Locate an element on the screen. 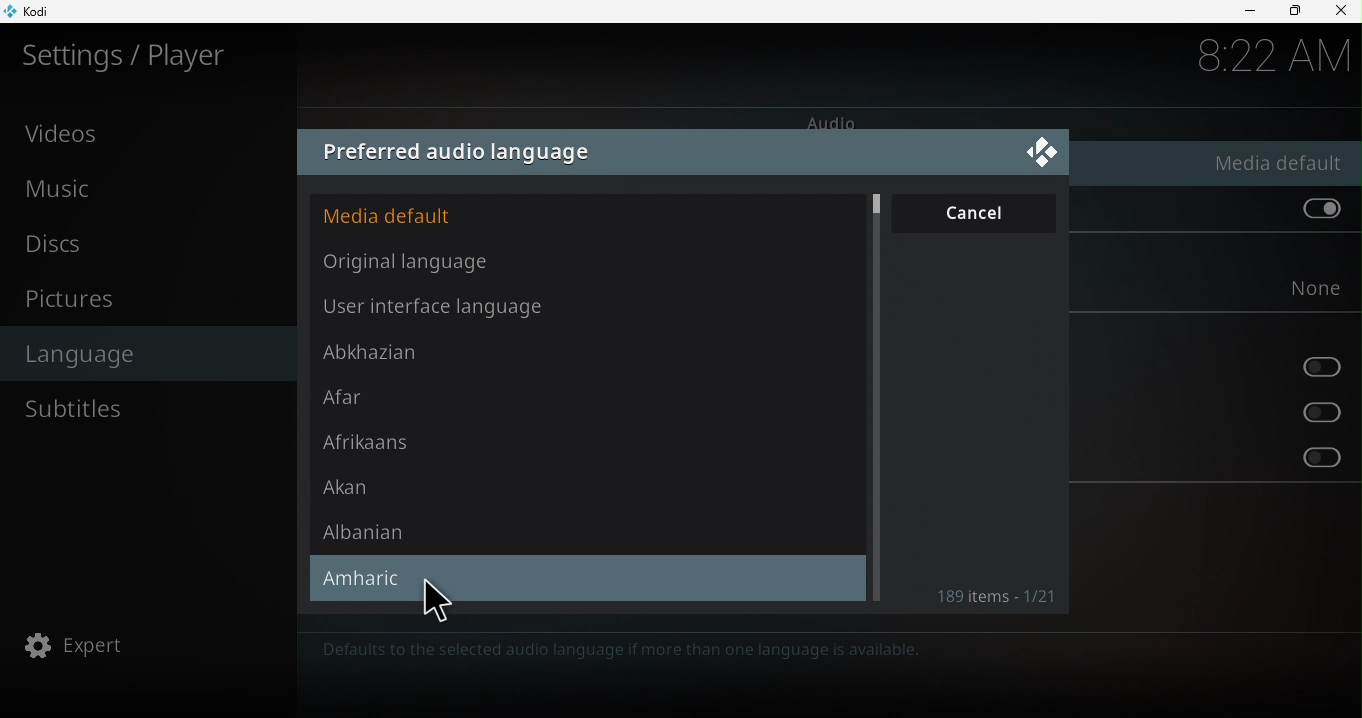 The width and height of the screenshot is (1362, 718). Subtitles is located at coordinates (140, 410).